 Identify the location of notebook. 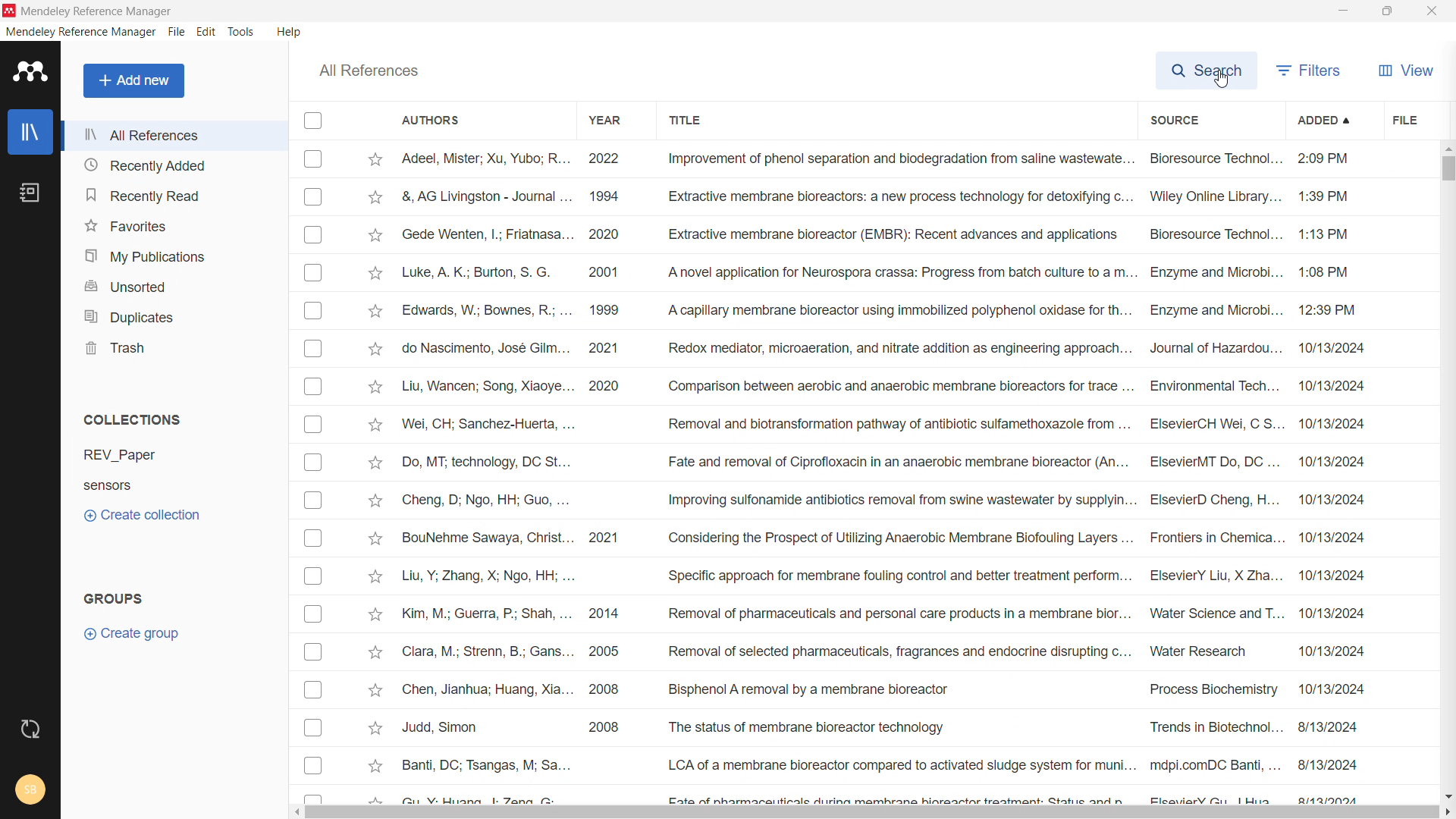
(30, 193).